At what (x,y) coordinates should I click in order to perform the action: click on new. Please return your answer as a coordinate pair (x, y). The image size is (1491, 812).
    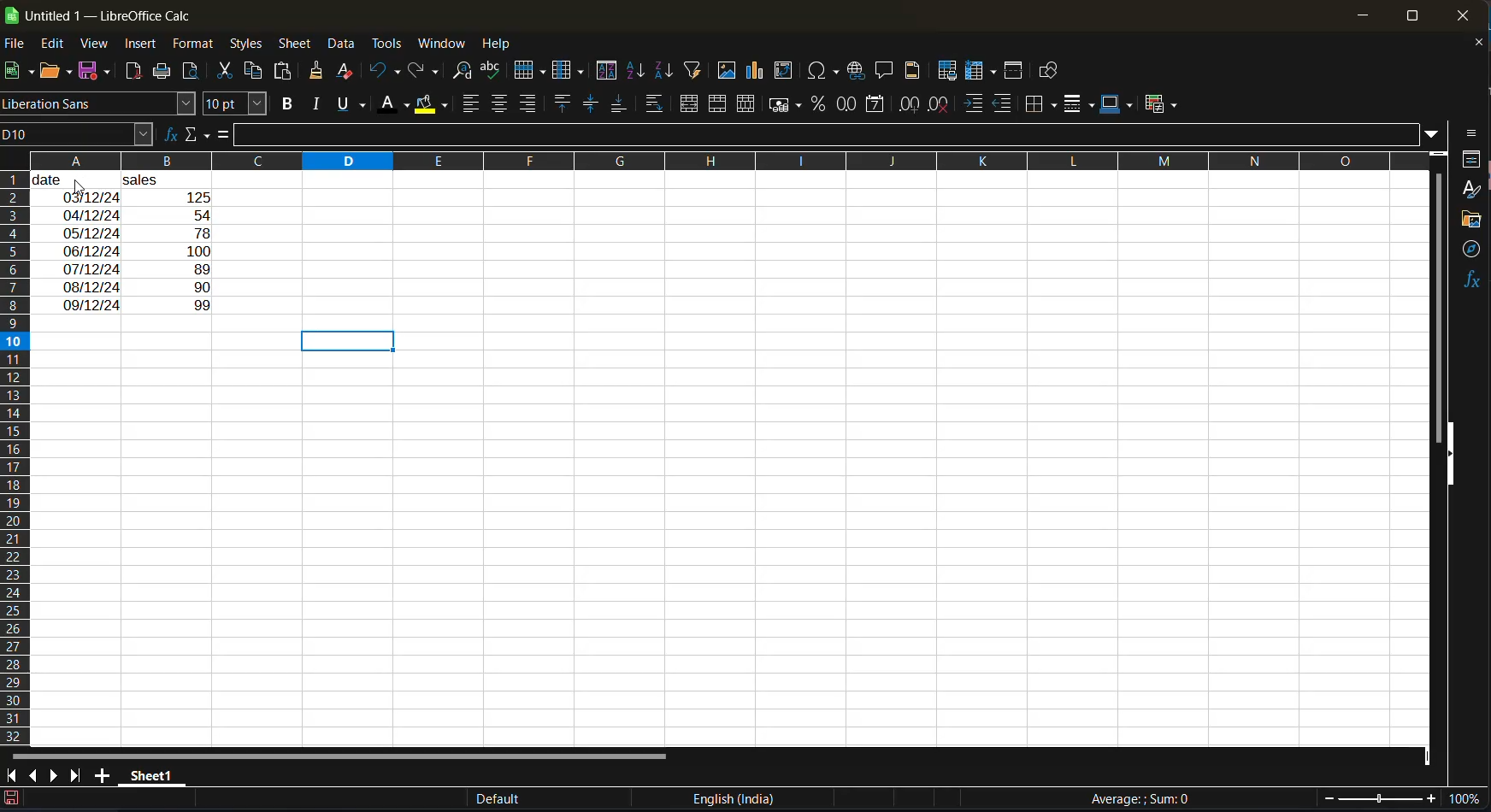
    Looking at the image, I should click on (15, 72).